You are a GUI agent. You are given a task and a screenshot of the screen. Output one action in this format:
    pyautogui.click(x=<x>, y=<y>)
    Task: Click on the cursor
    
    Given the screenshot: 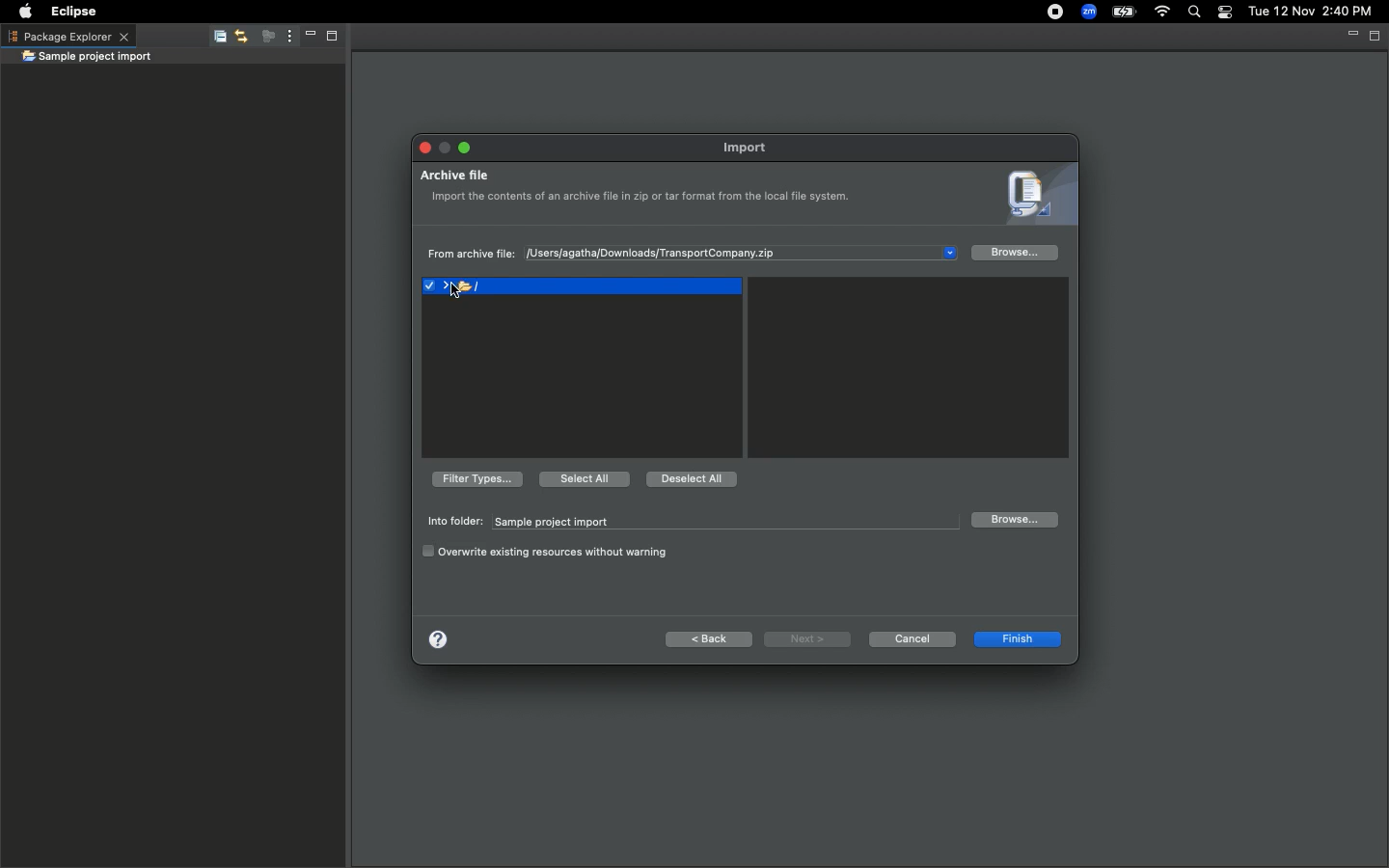 What is the action you would take?
    pyautogui.click(x=455, y=294)
    